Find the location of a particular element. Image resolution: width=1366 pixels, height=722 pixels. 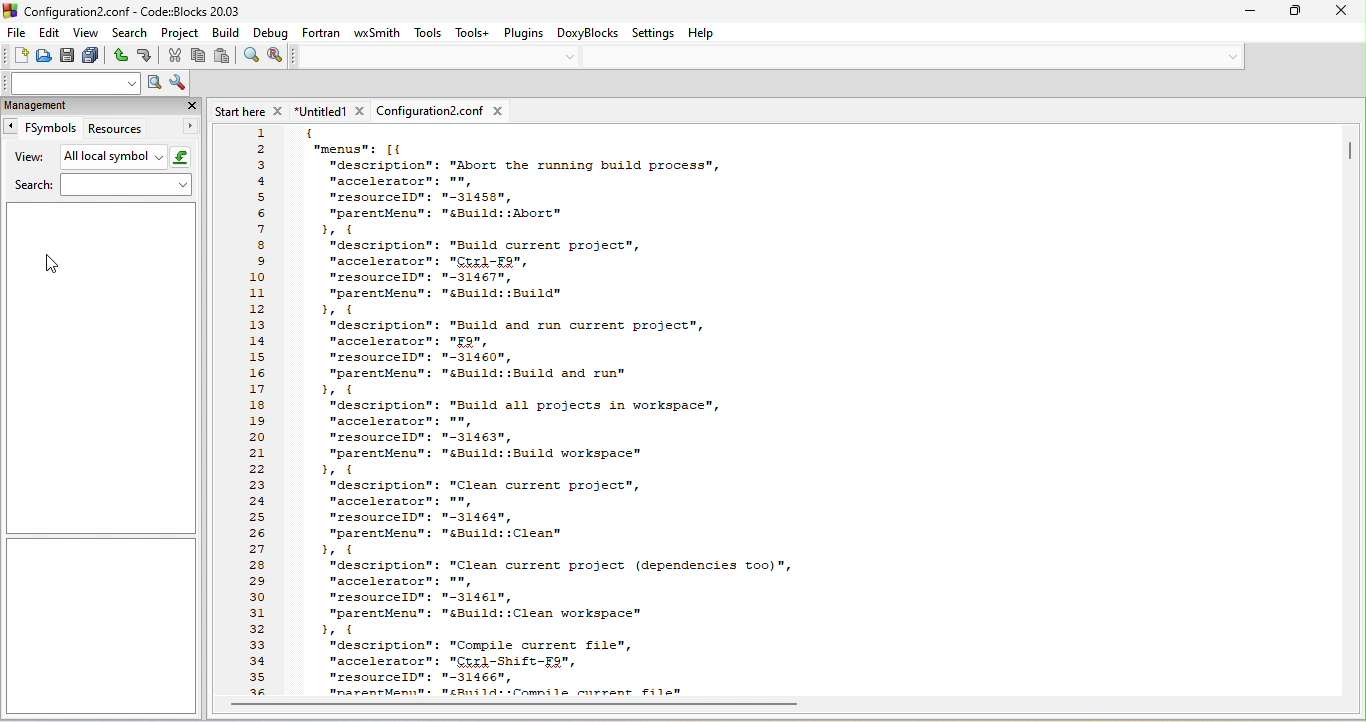

tools is located at coordinates (428, 33).